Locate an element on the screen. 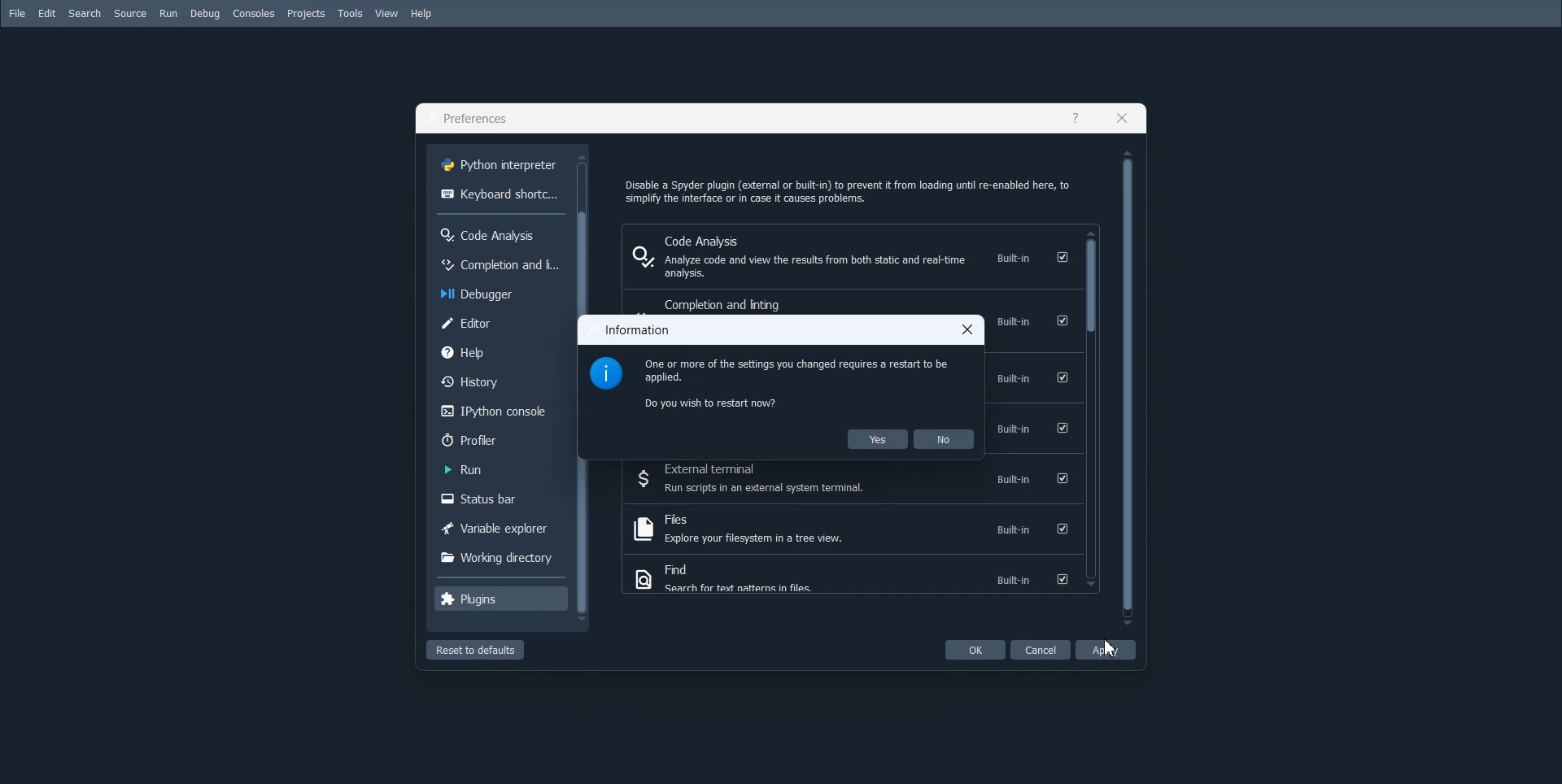 Image resolution: width=1562 pixels, height=784 pixels. No is located at coordinates (944, 439).